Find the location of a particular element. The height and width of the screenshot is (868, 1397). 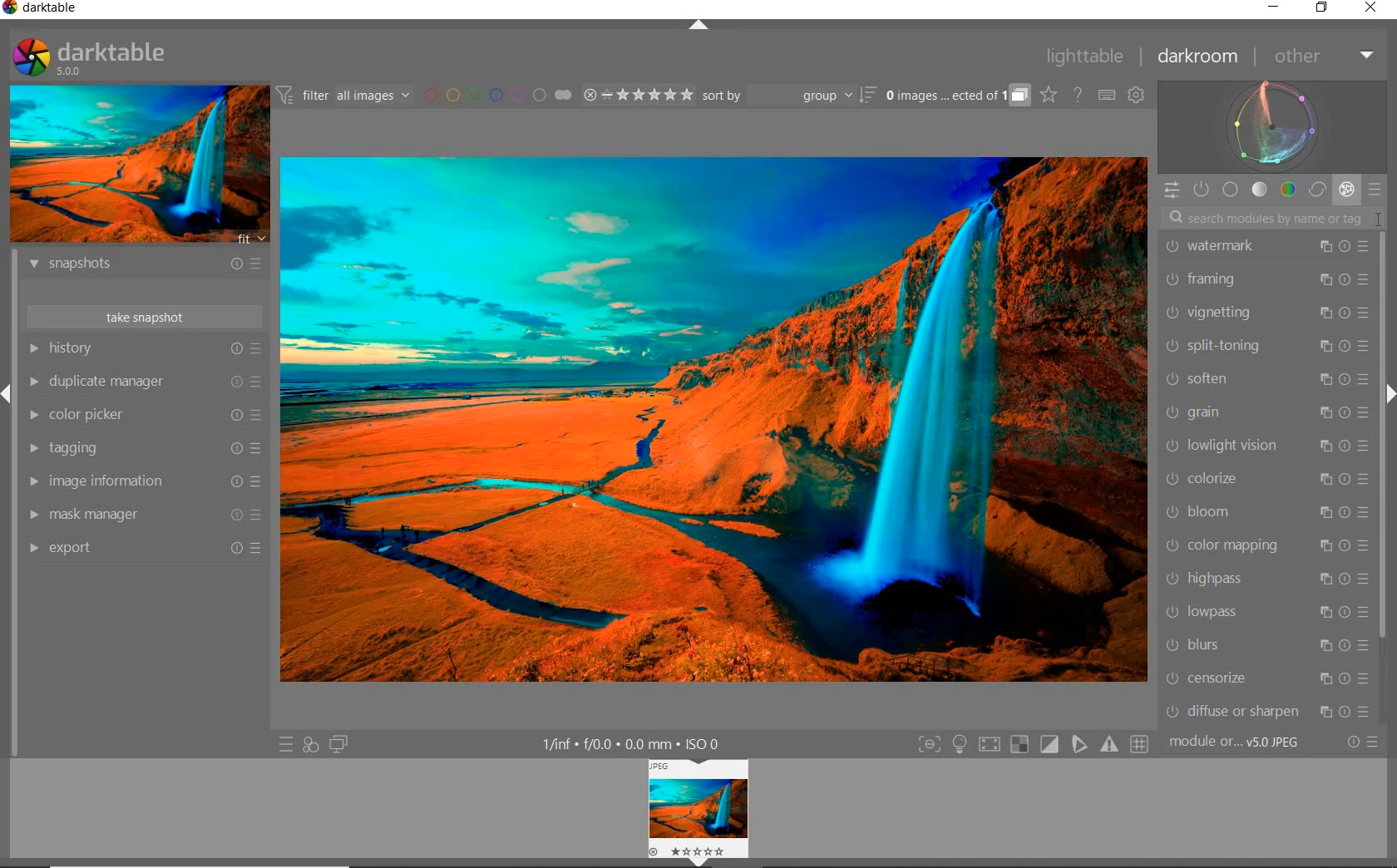

SHOW ONLY ACTIVE MODULES is located at coordinates (1202, 190).